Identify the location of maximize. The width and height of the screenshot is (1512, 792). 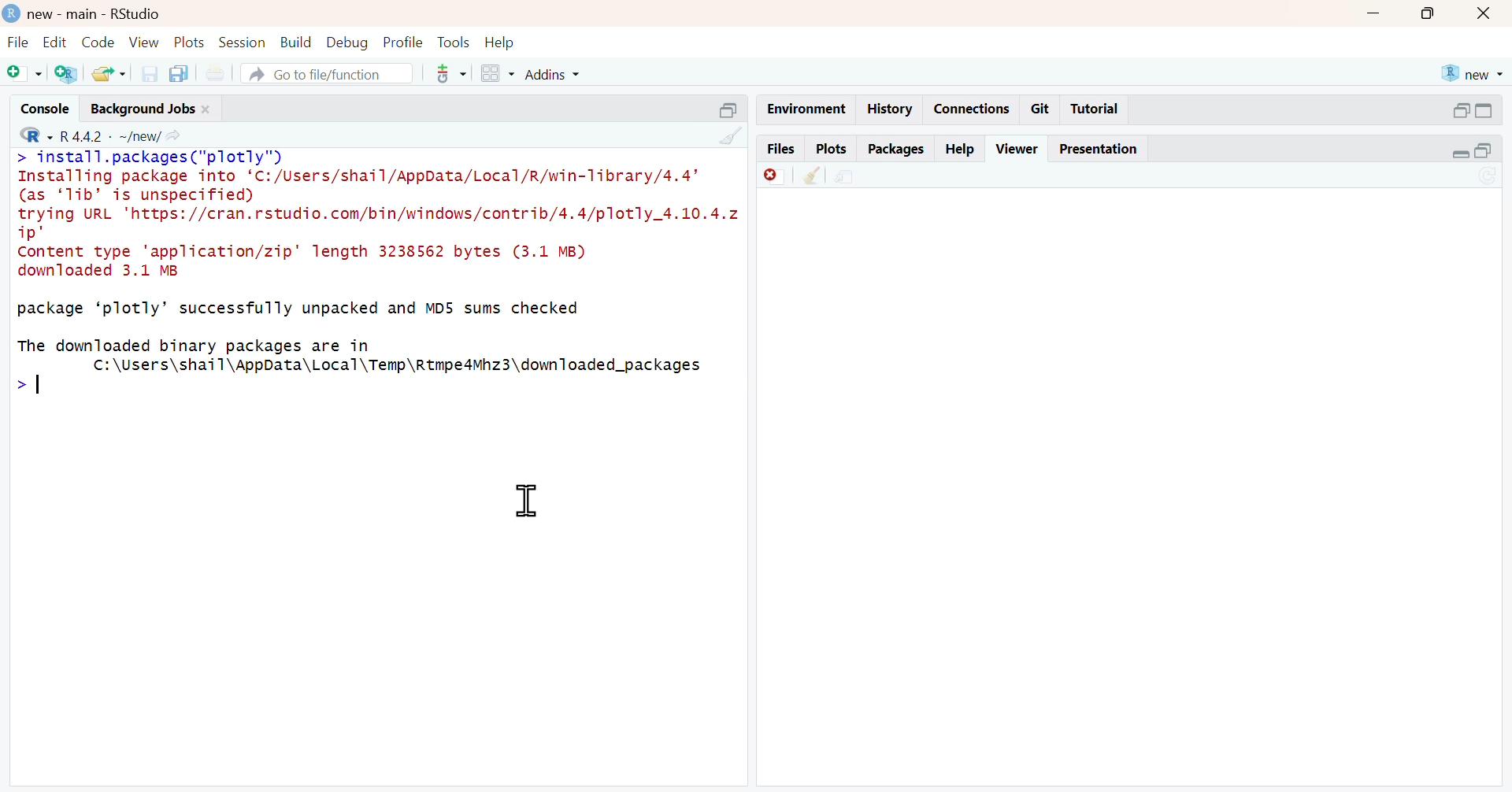
(1494, 110).